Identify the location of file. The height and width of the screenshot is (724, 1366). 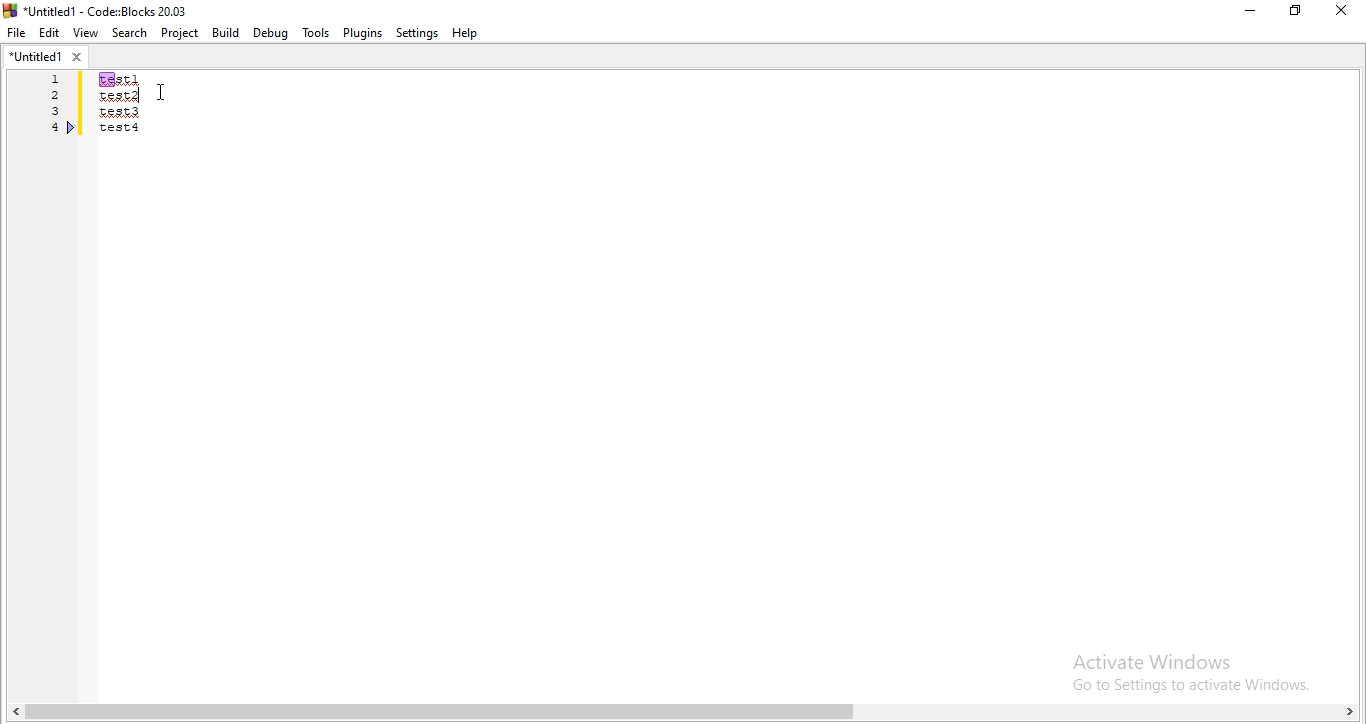
(16, 31).